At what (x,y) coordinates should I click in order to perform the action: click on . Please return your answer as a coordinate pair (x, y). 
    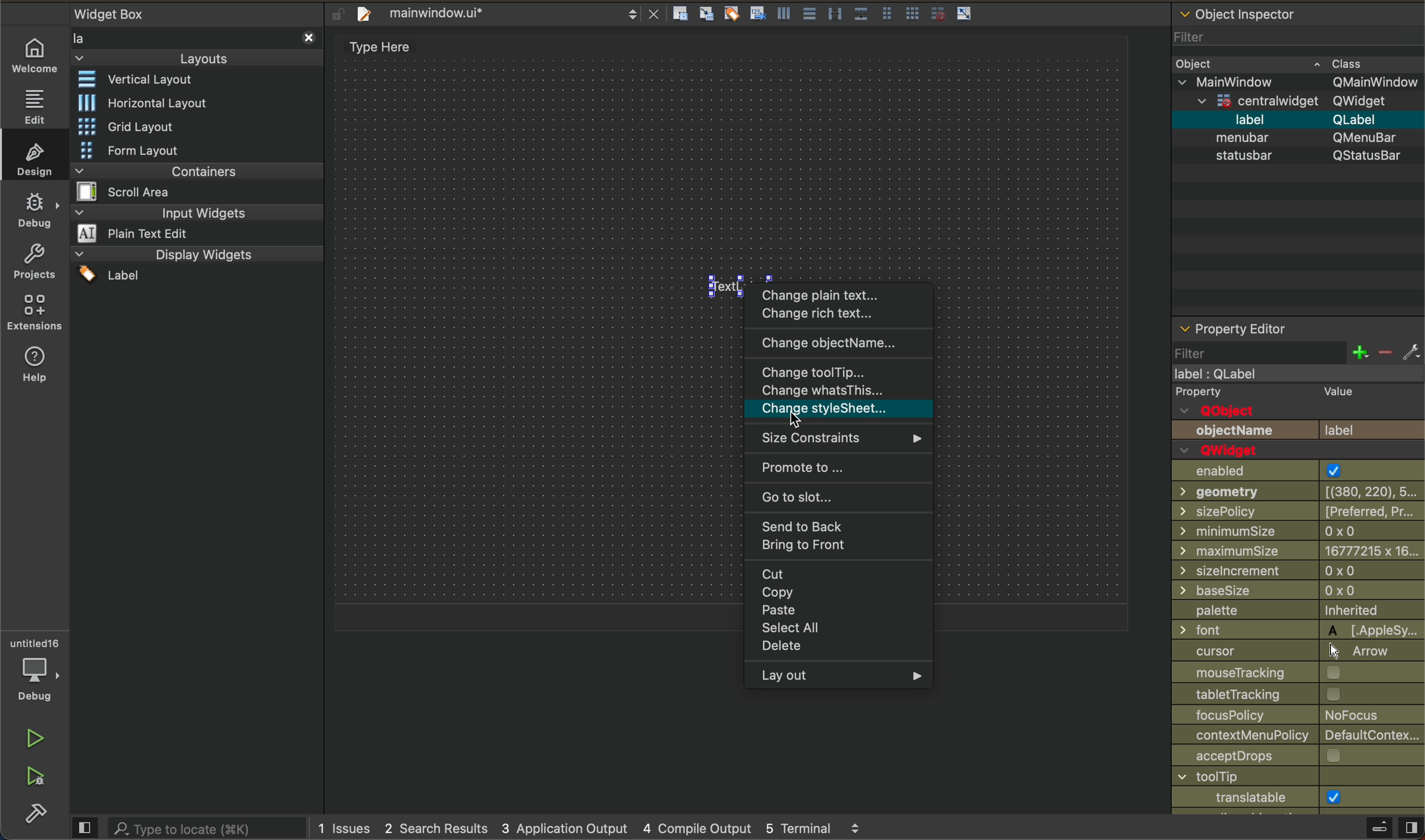
    Looking at the image, I should click on (1299, 778).